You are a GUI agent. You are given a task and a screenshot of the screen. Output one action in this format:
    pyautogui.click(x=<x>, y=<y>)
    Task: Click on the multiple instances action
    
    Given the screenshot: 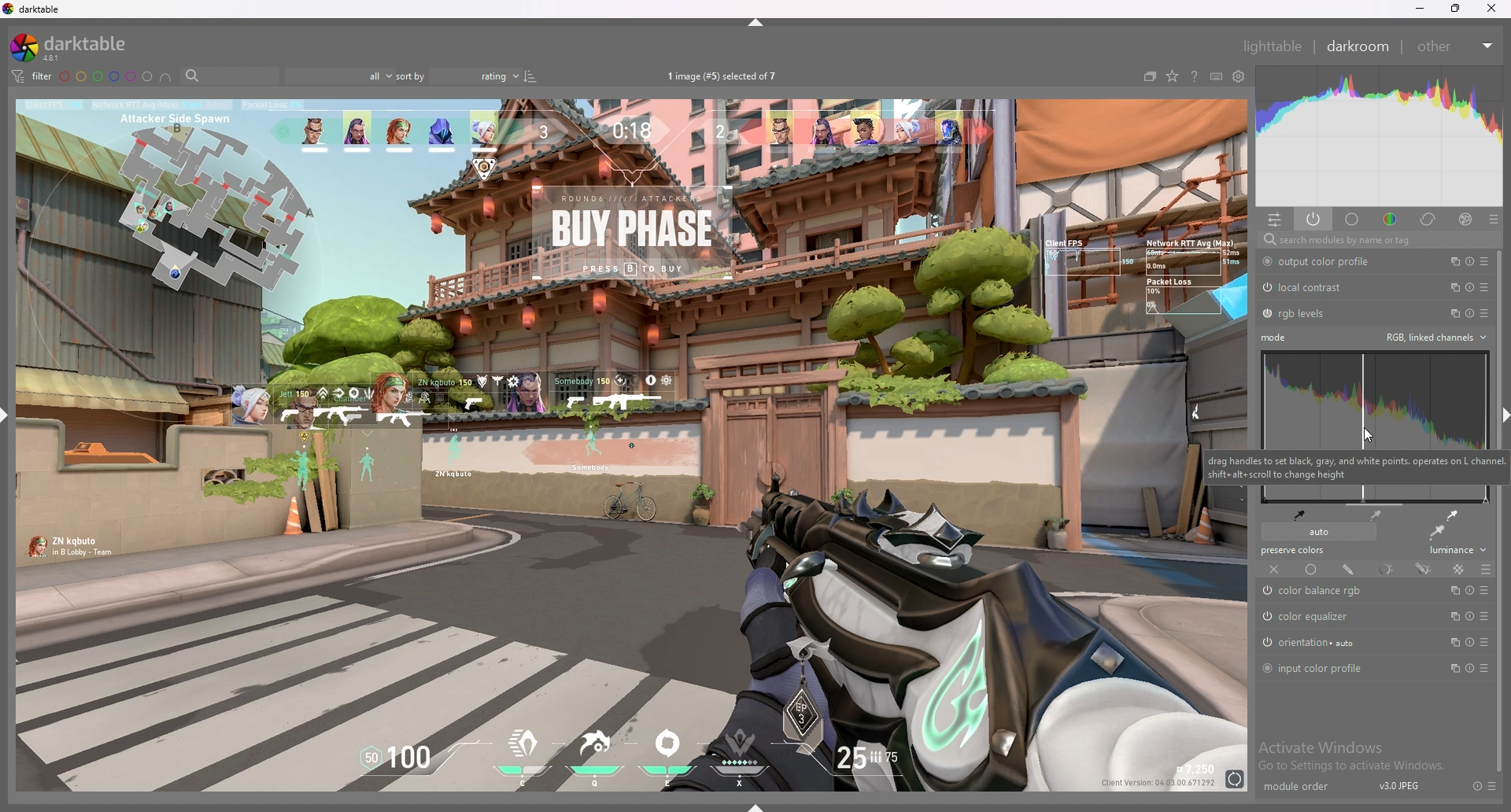 What is the action you would take?
    pyautogui.click(x=1453, y=643)
    